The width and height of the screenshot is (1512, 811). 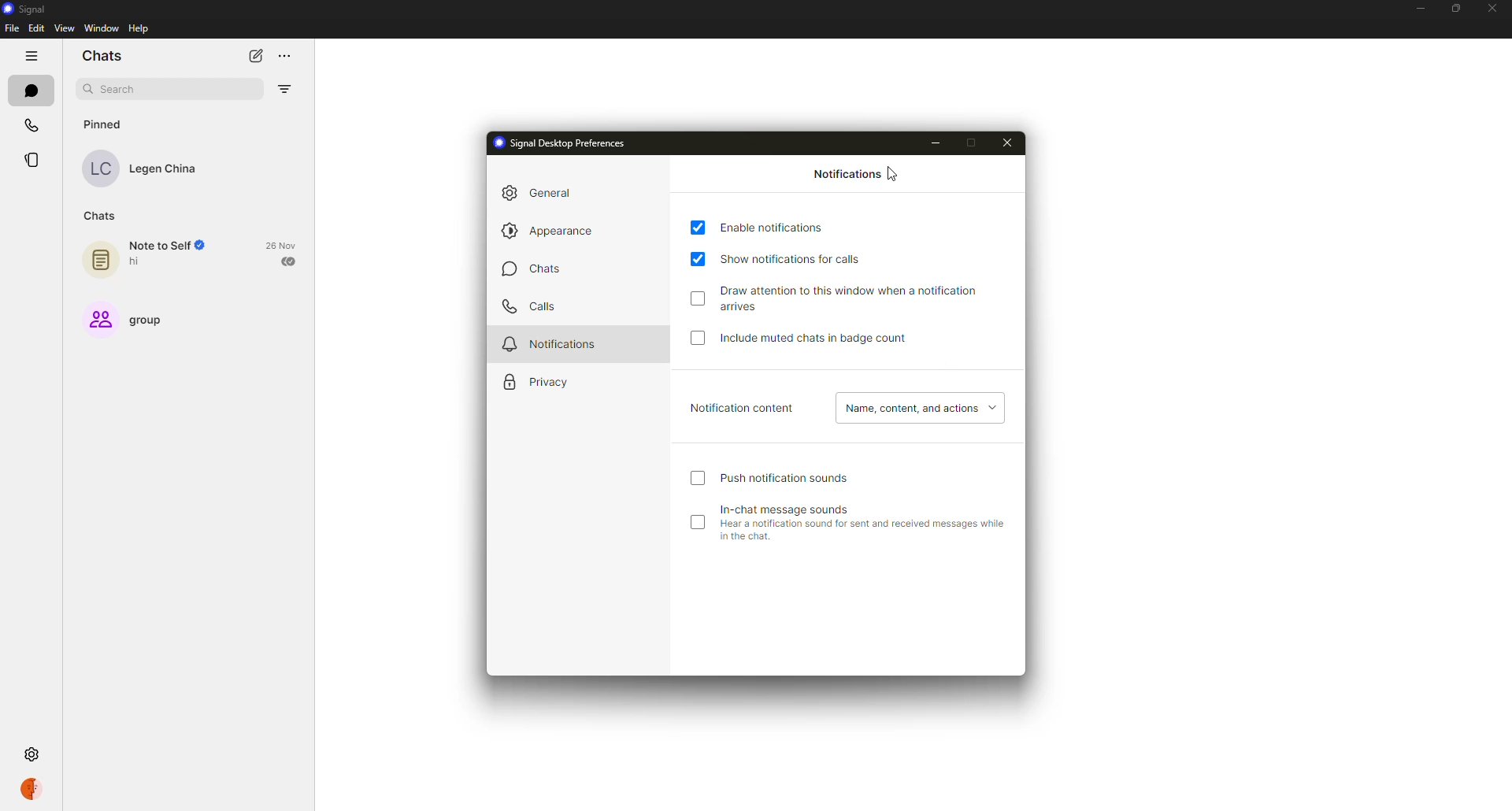 What do you see at coordinates (696, 478) in the screenshot?
I see `click to enable` at bounding box center [696, 478].